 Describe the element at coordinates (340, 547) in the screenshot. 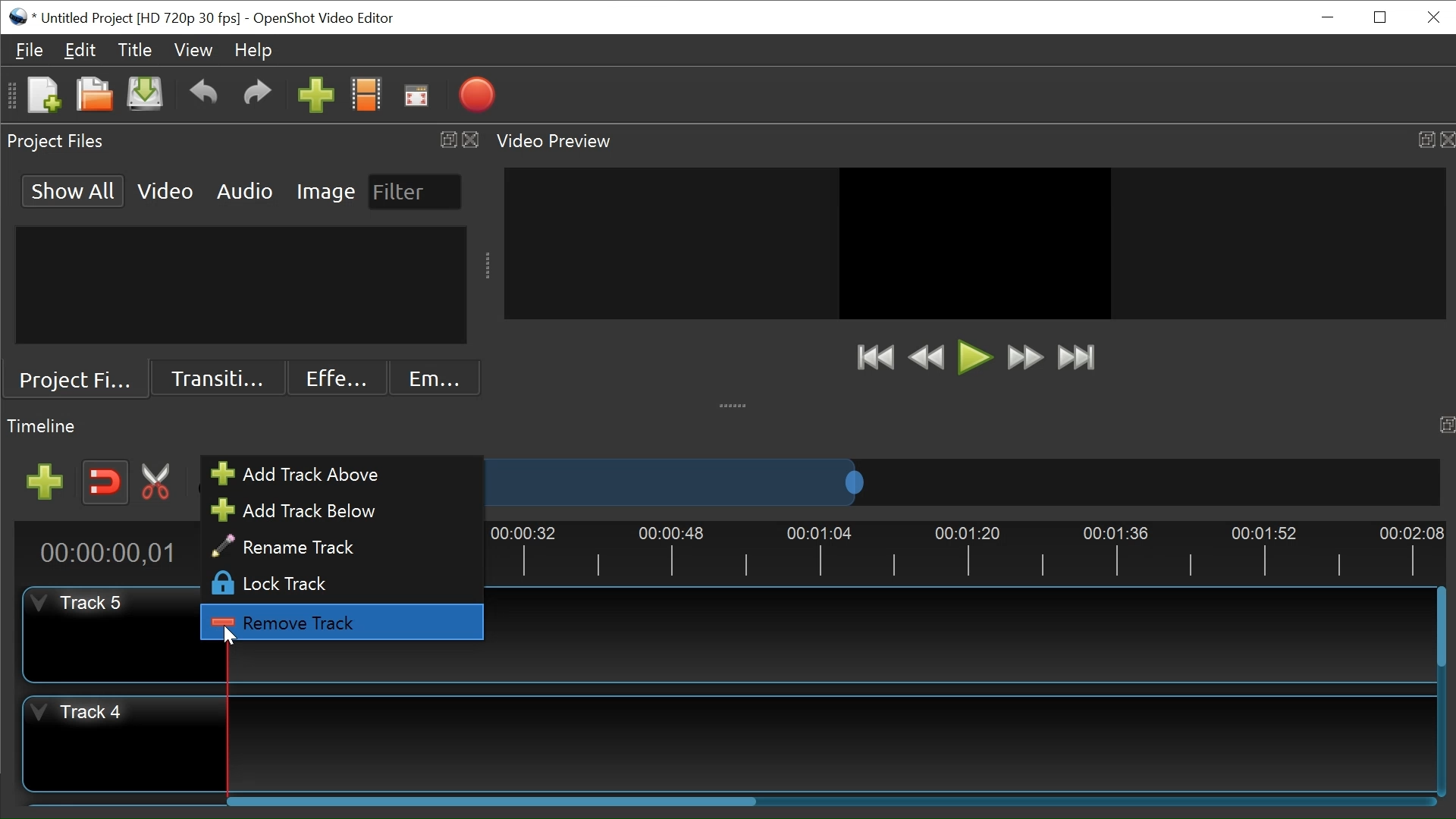

I see `Rename Track` at that location.